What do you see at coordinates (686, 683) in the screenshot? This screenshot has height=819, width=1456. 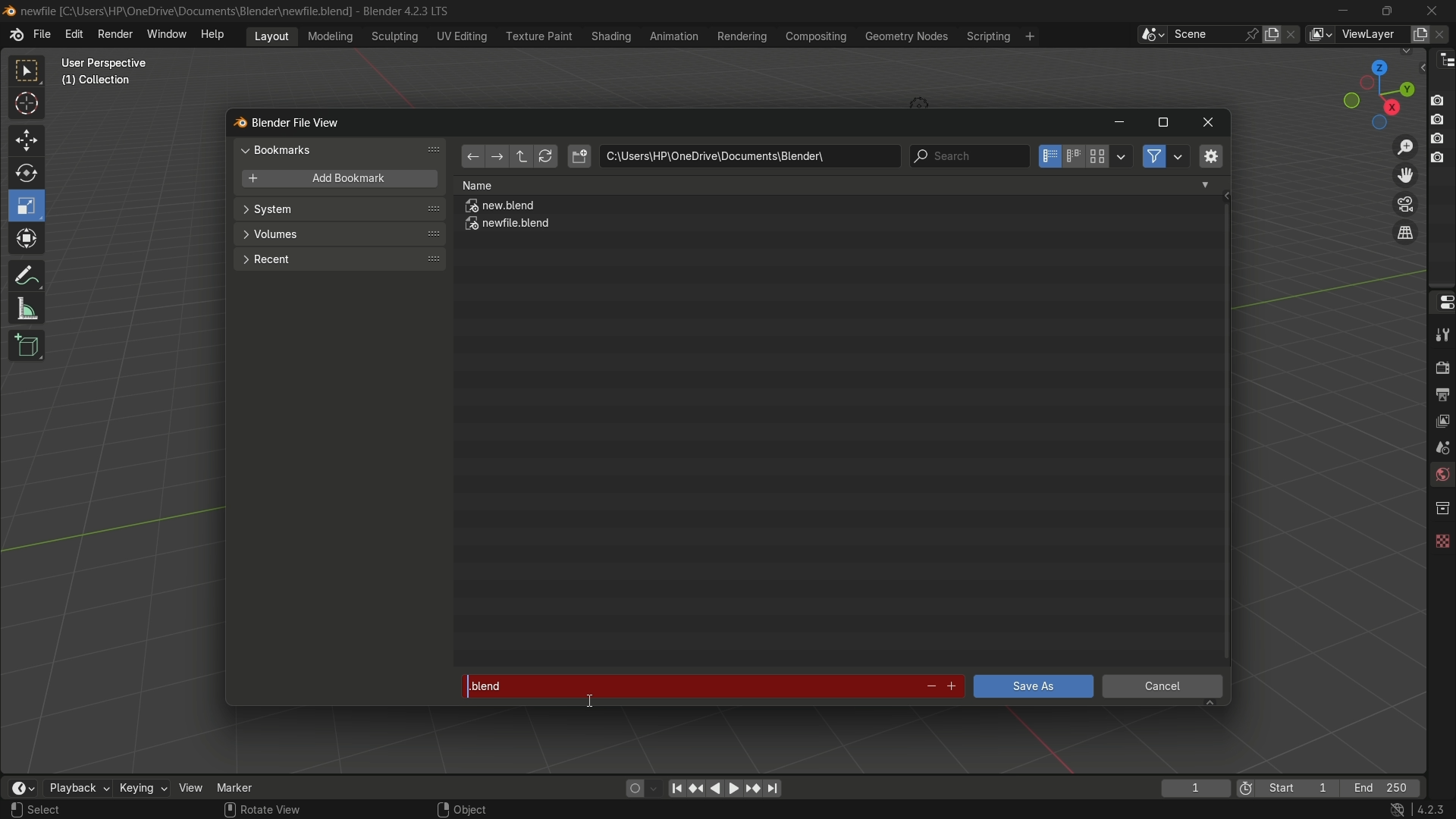 I see `.blend` at bounding box center [686, 683].